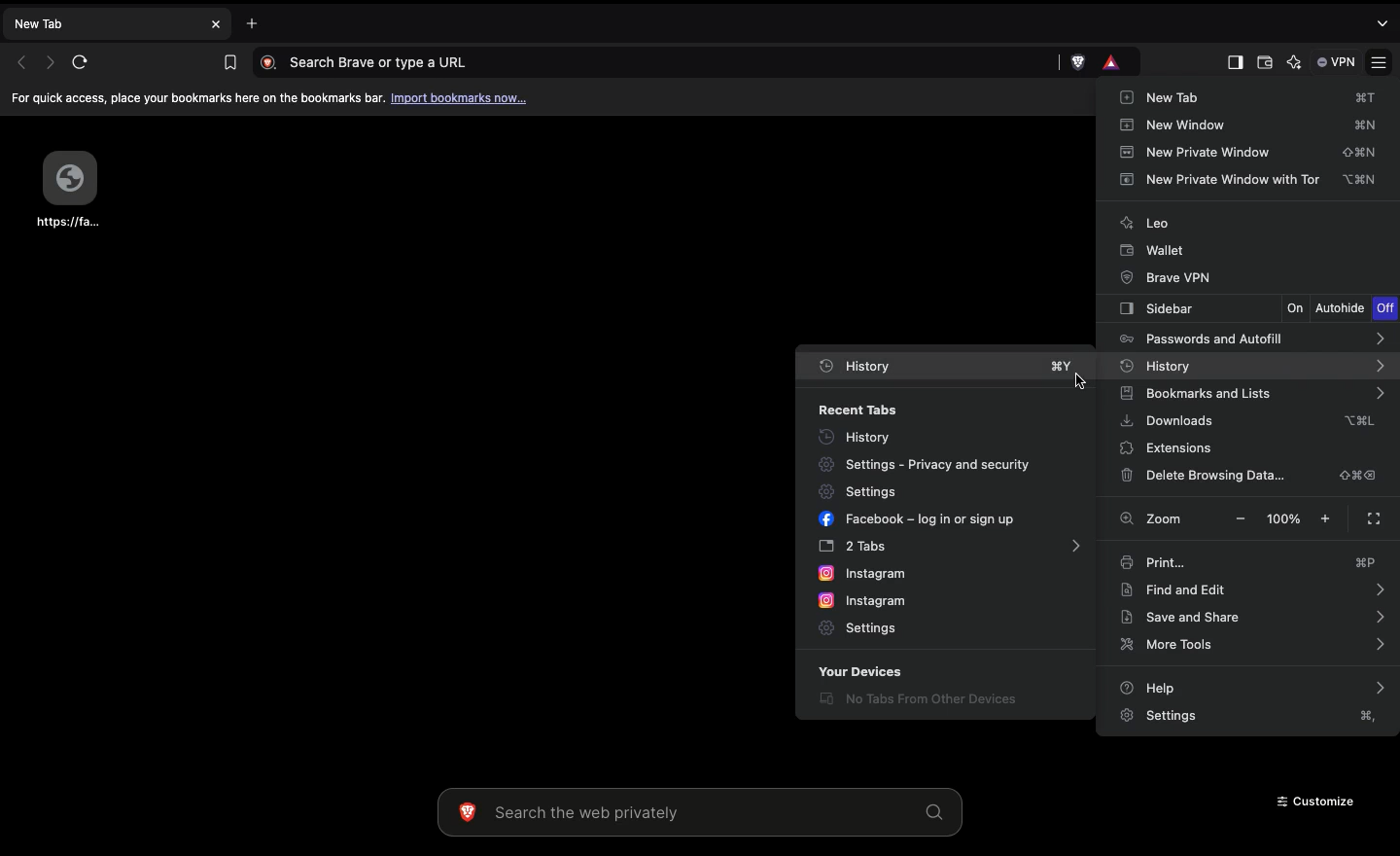 Image resolution: width=1400 pixels, height=856 pixels. I want to click on Instagram, so click(866, 602).